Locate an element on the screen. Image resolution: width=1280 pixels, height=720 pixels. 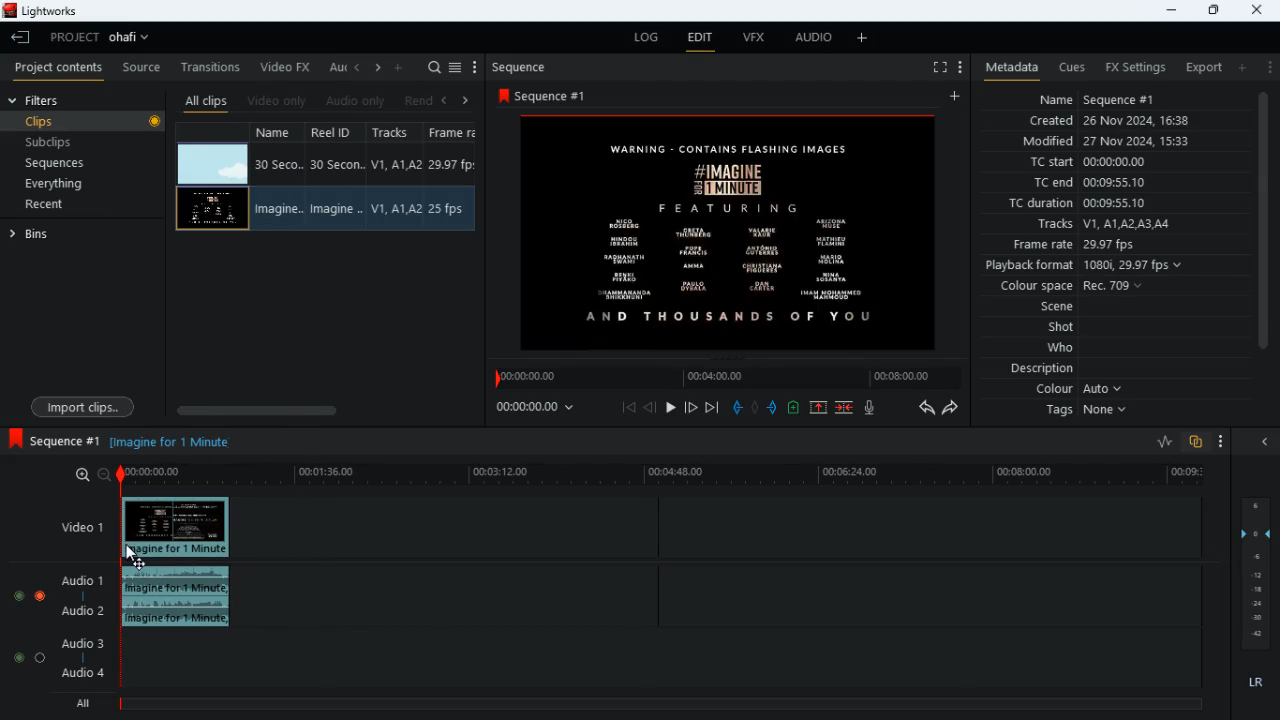
search is located at coordinates (434, 67).